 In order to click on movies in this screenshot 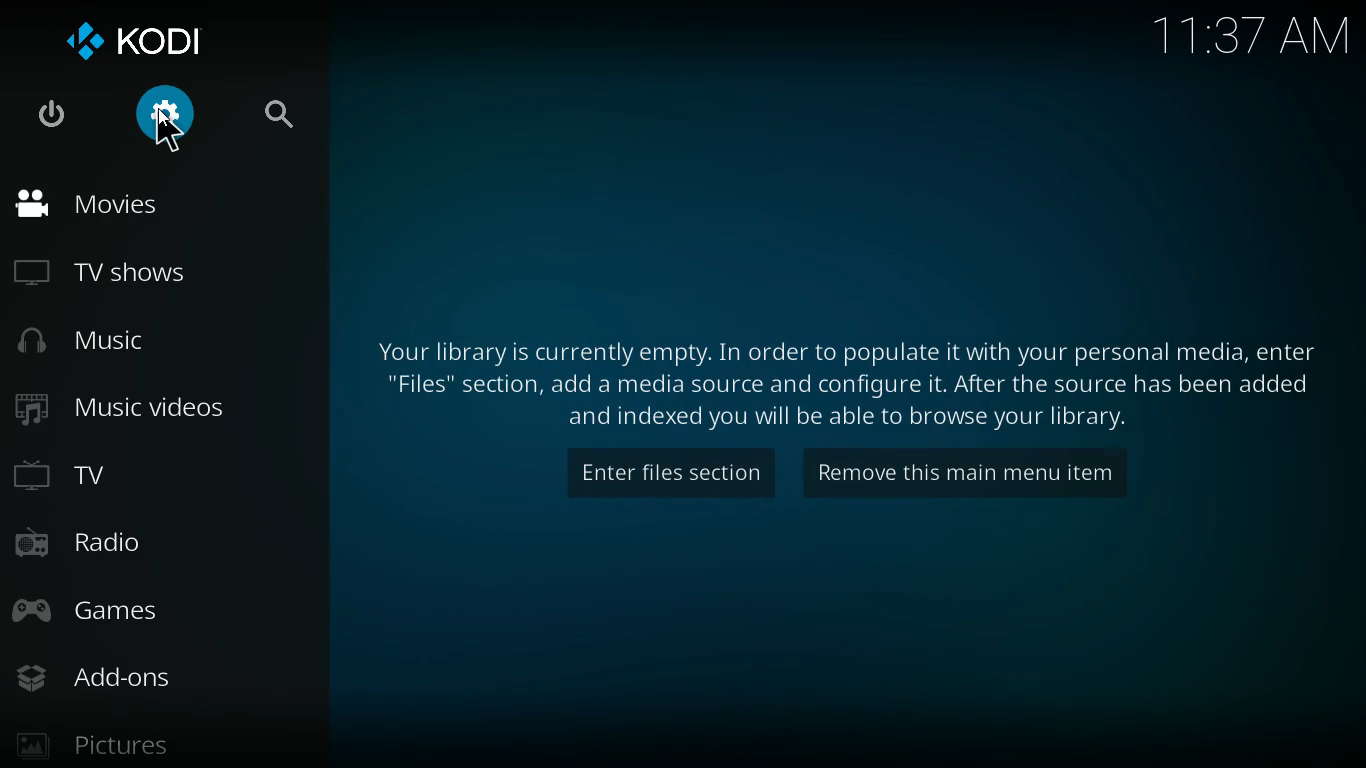, I will do `click(116, 205)`.